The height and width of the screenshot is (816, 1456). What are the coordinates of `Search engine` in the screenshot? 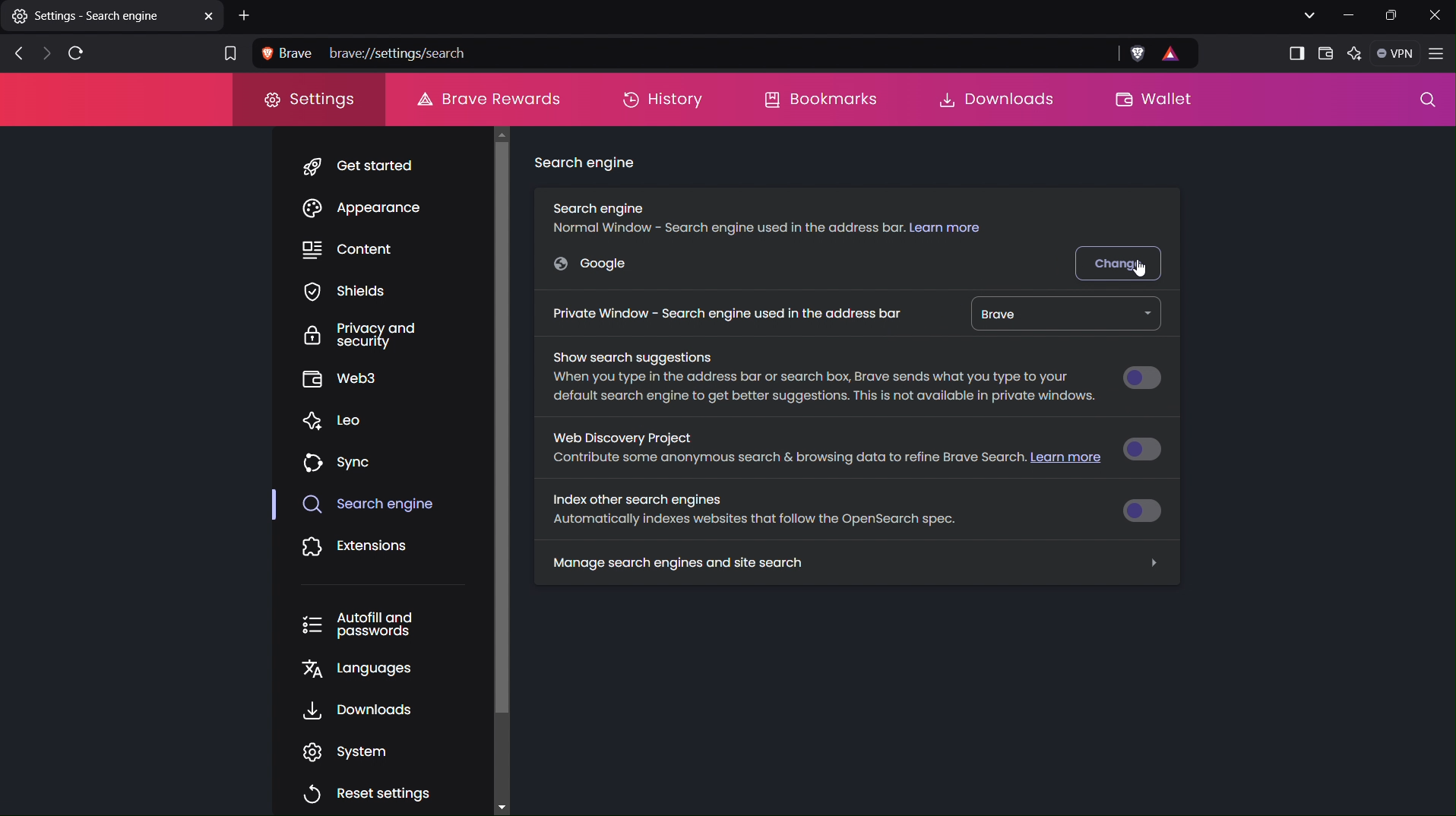 It's located at (587, 166).